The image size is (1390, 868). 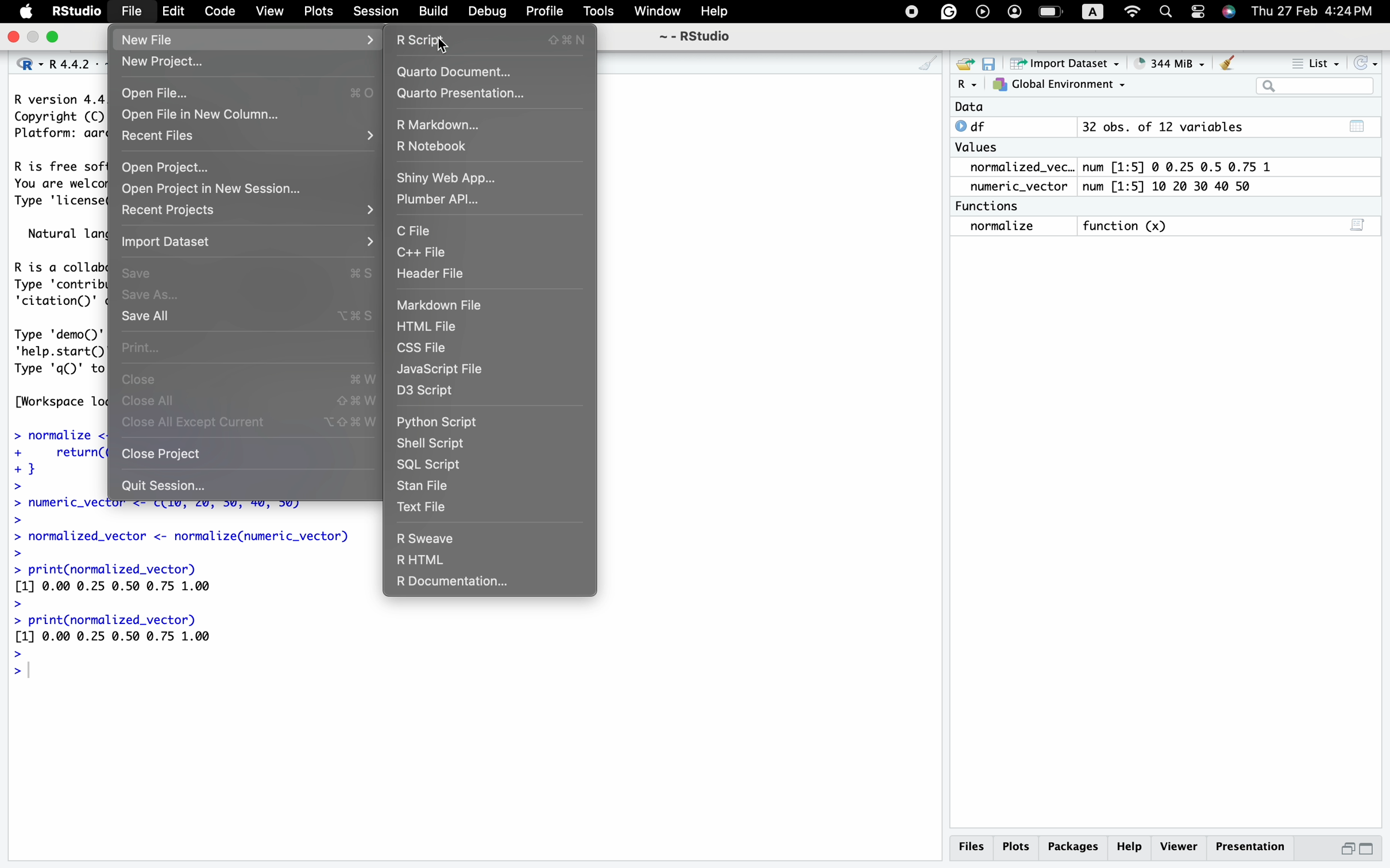 I want to click on JavaScript File, so click(x=443, y=370).